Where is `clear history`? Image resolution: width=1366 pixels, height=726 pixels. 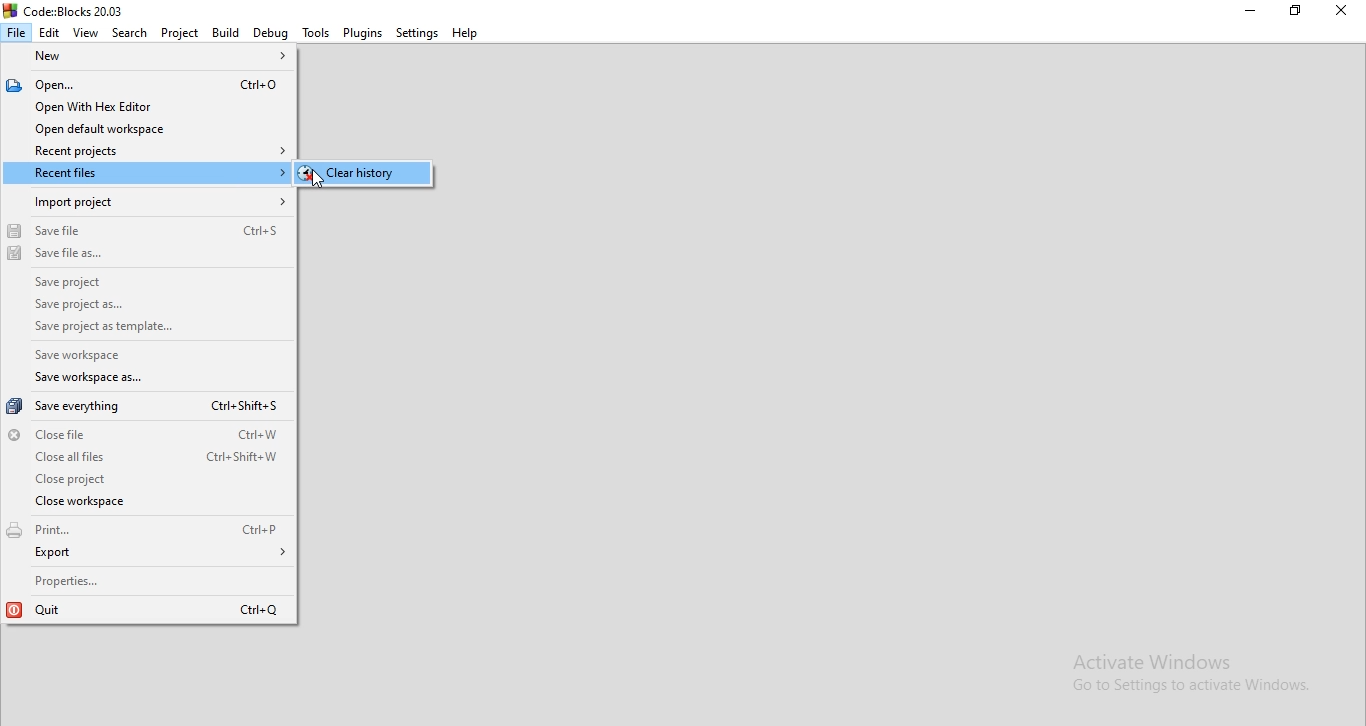 clear history is located at coordinates (359, 173).